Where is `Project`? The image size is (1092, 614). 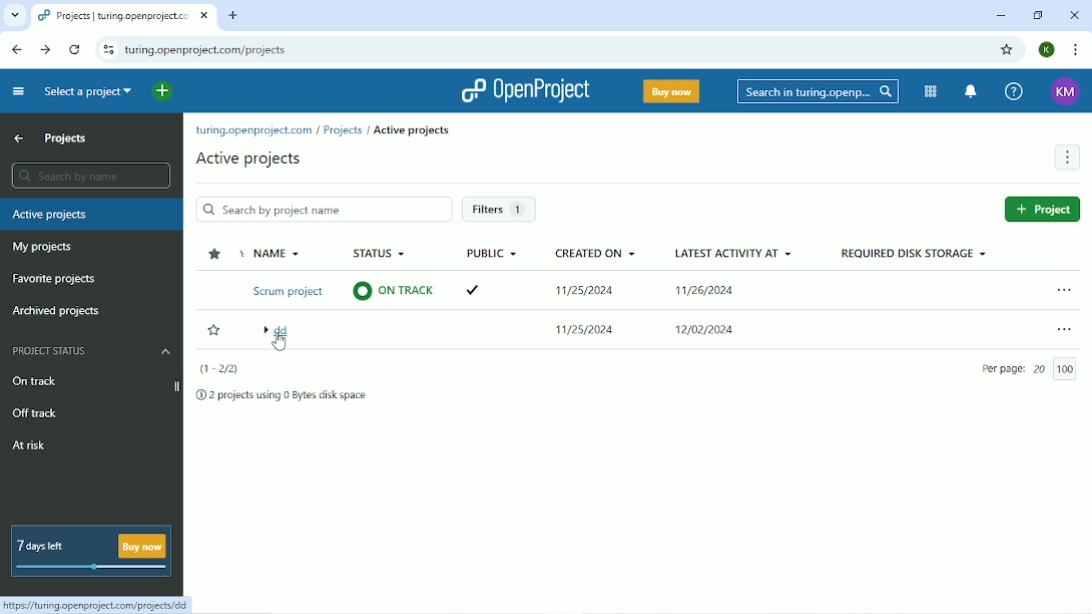 Project is located at coordinates (1042, 209).